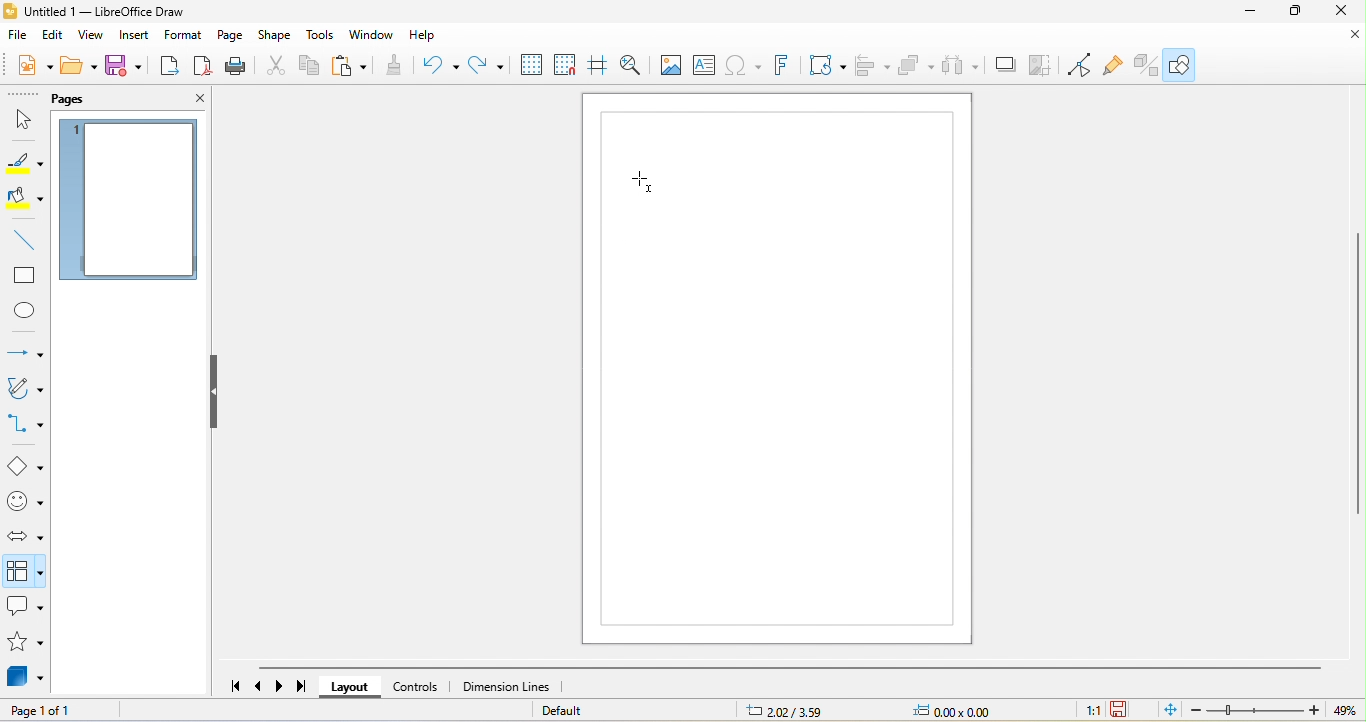  Describe the element at coordinates (787, 68) in the screenshot. I see `font work text` at that location.